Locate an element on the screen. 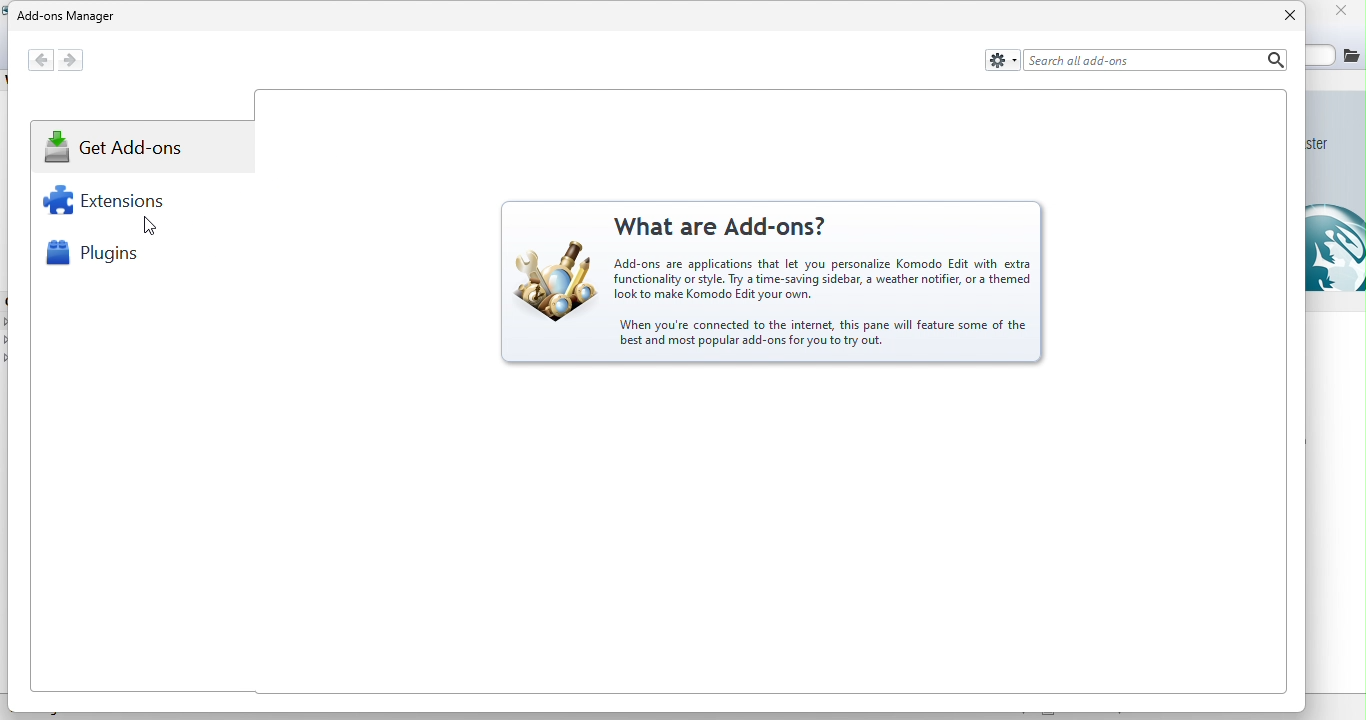 The height and width of the screenshot is (720, 1366). add ons manager is located at coordinates (69, 17).